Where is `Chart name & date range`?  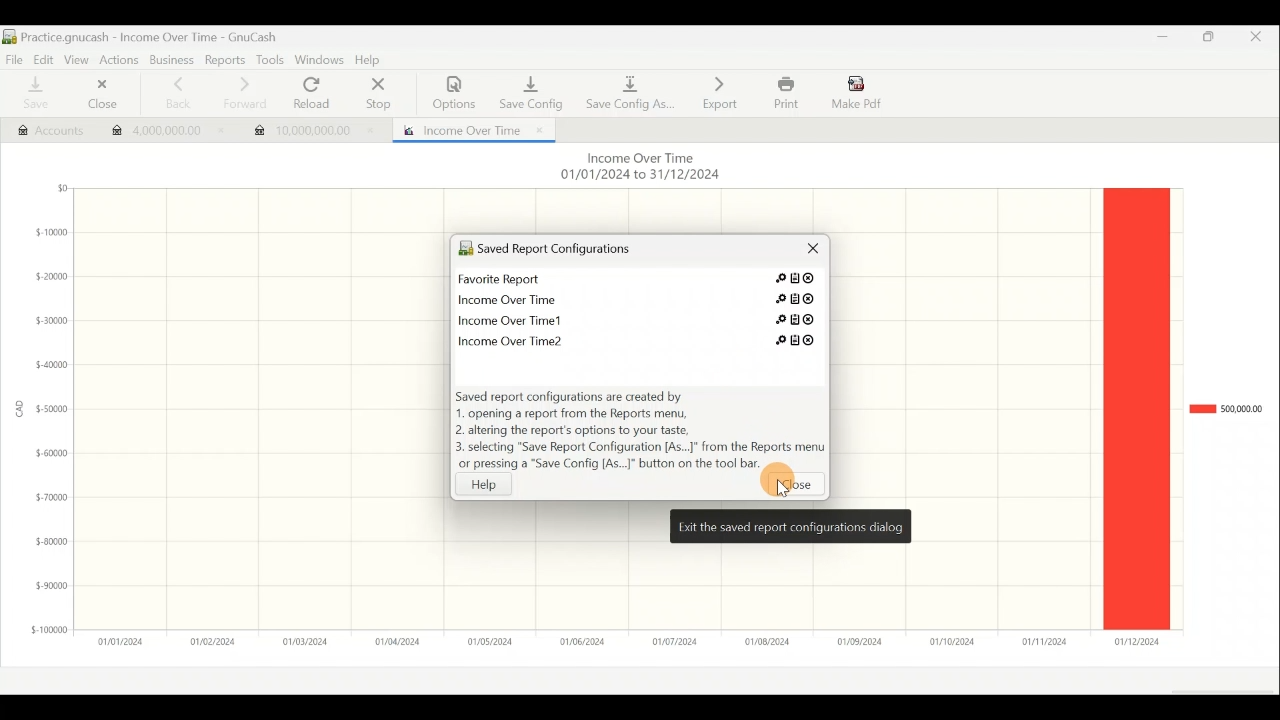
Chart name & date range is located at coordinates (638, 168).